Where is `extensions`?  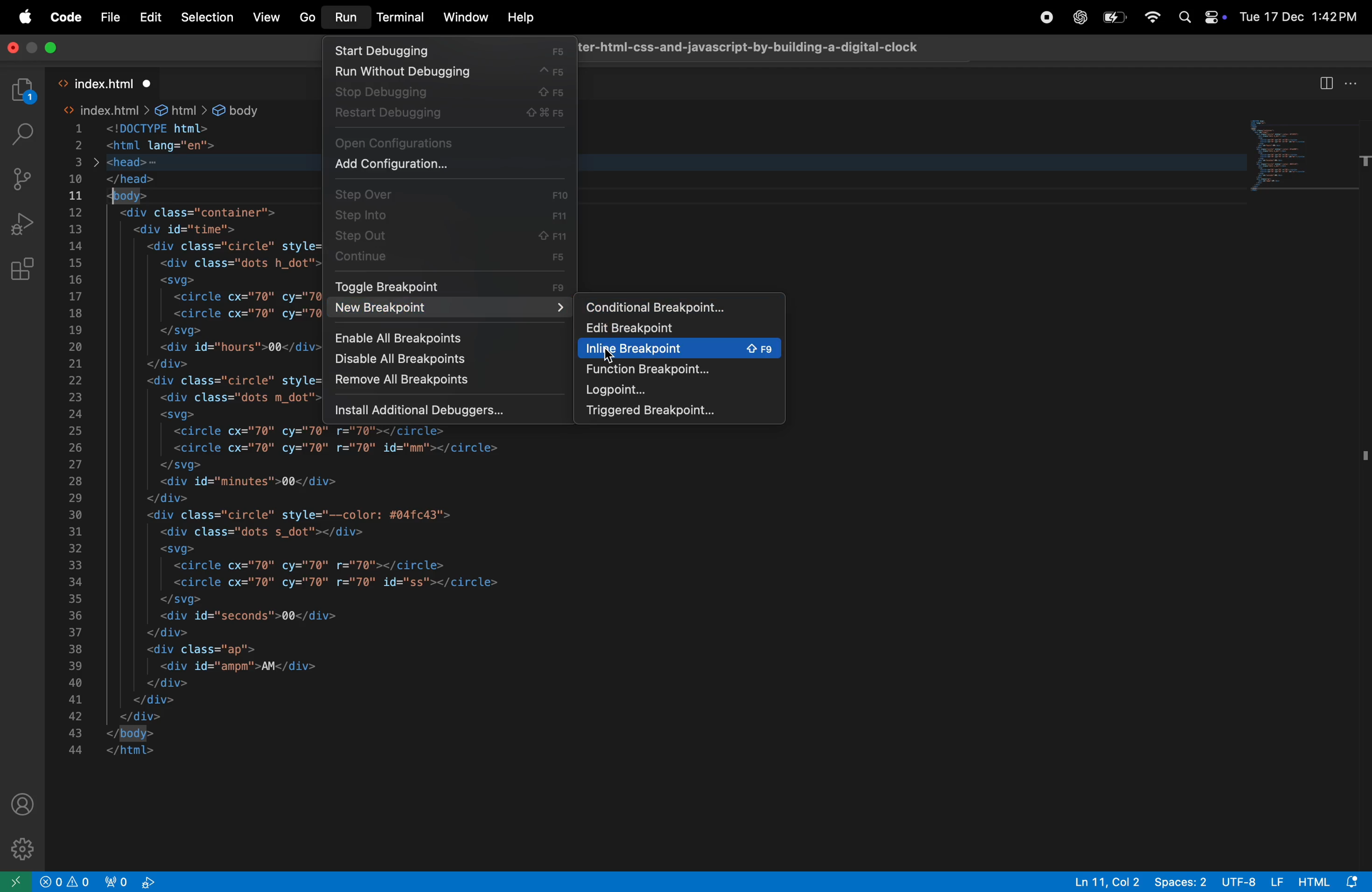
extensions is located at coordinates (24, 267).